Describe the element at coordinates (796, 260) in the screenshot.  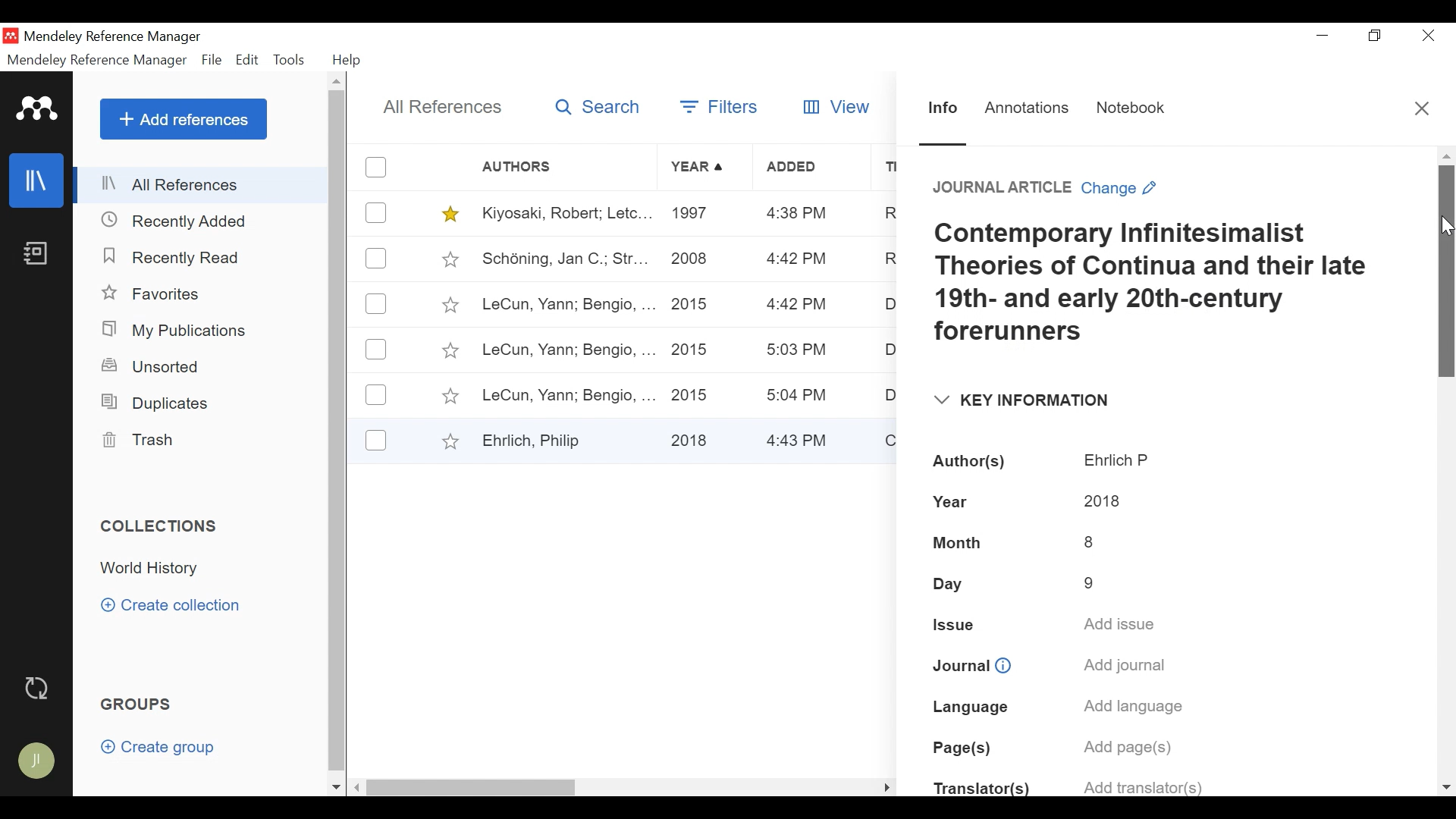
I see `4:42 PM` at that location.